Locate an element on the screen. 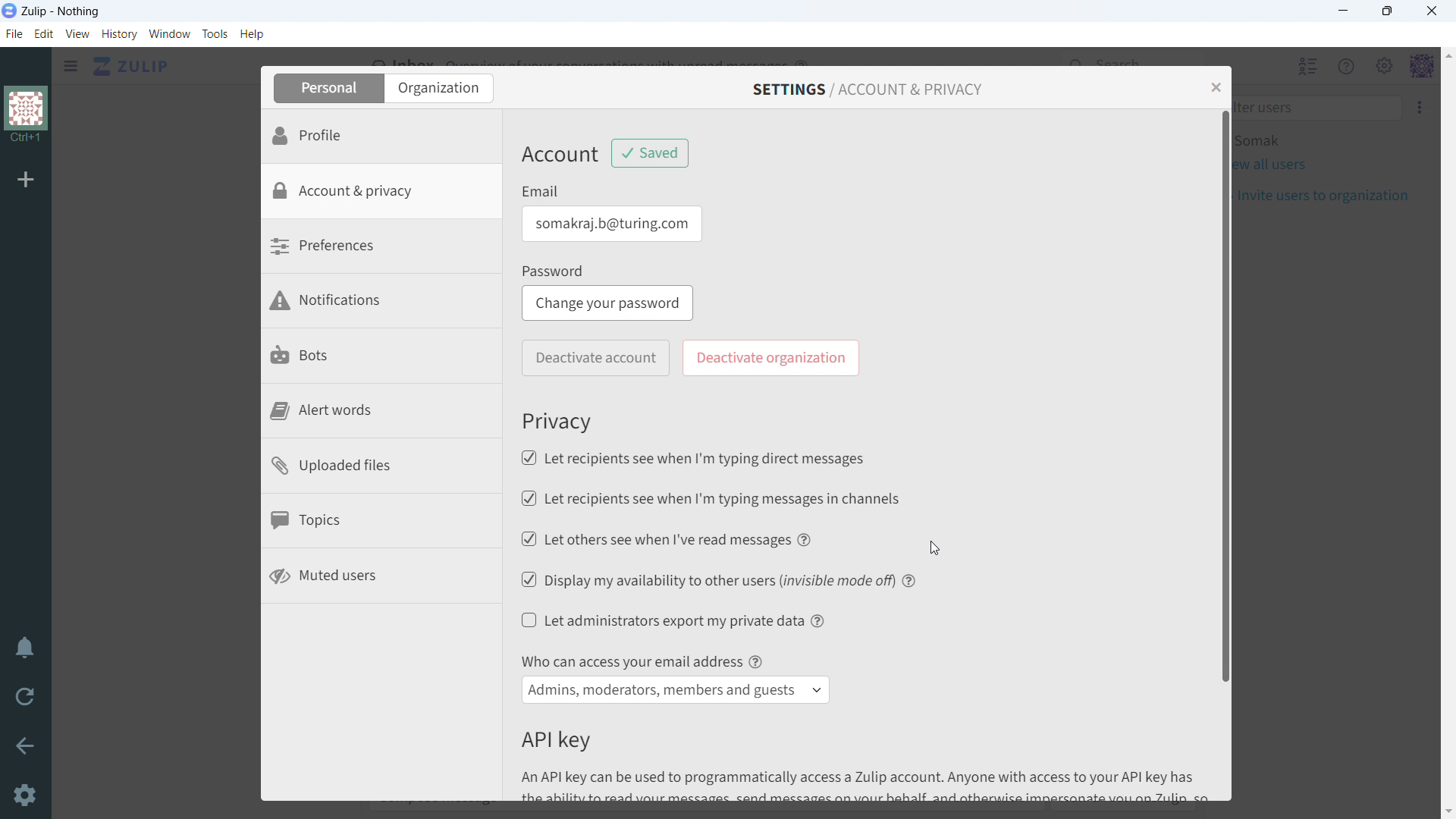 The height and width of the screenshot is (819, 1456). muted users is located at coordinates (381, 577).